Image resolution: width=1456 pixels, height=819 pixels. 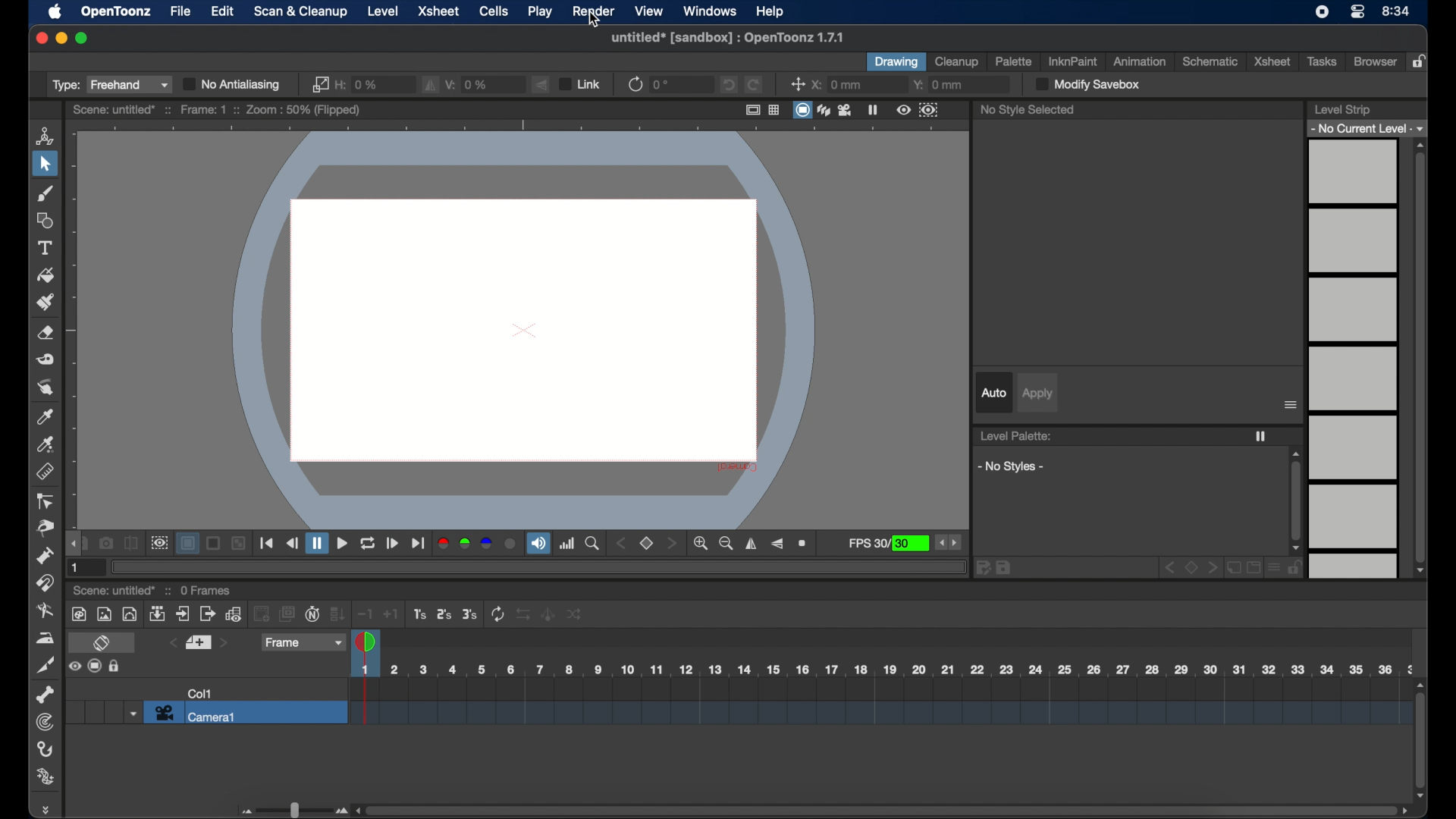 What do you see at coordinates (190, 544) in the screenshot?
I see `background` at bounding box center [190, 544].